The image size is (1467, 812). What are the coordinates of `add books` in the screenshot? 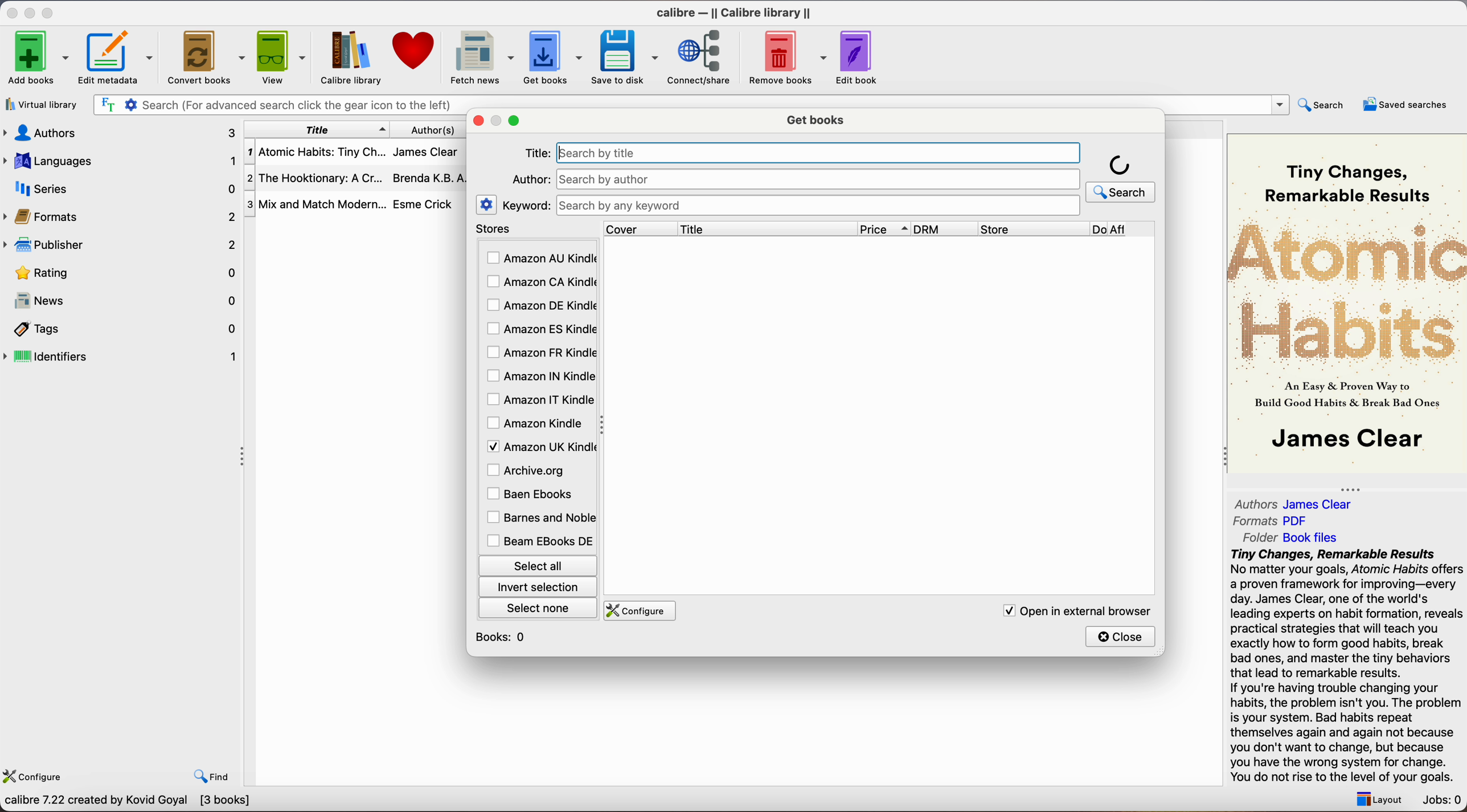 It's located at (38, 59).